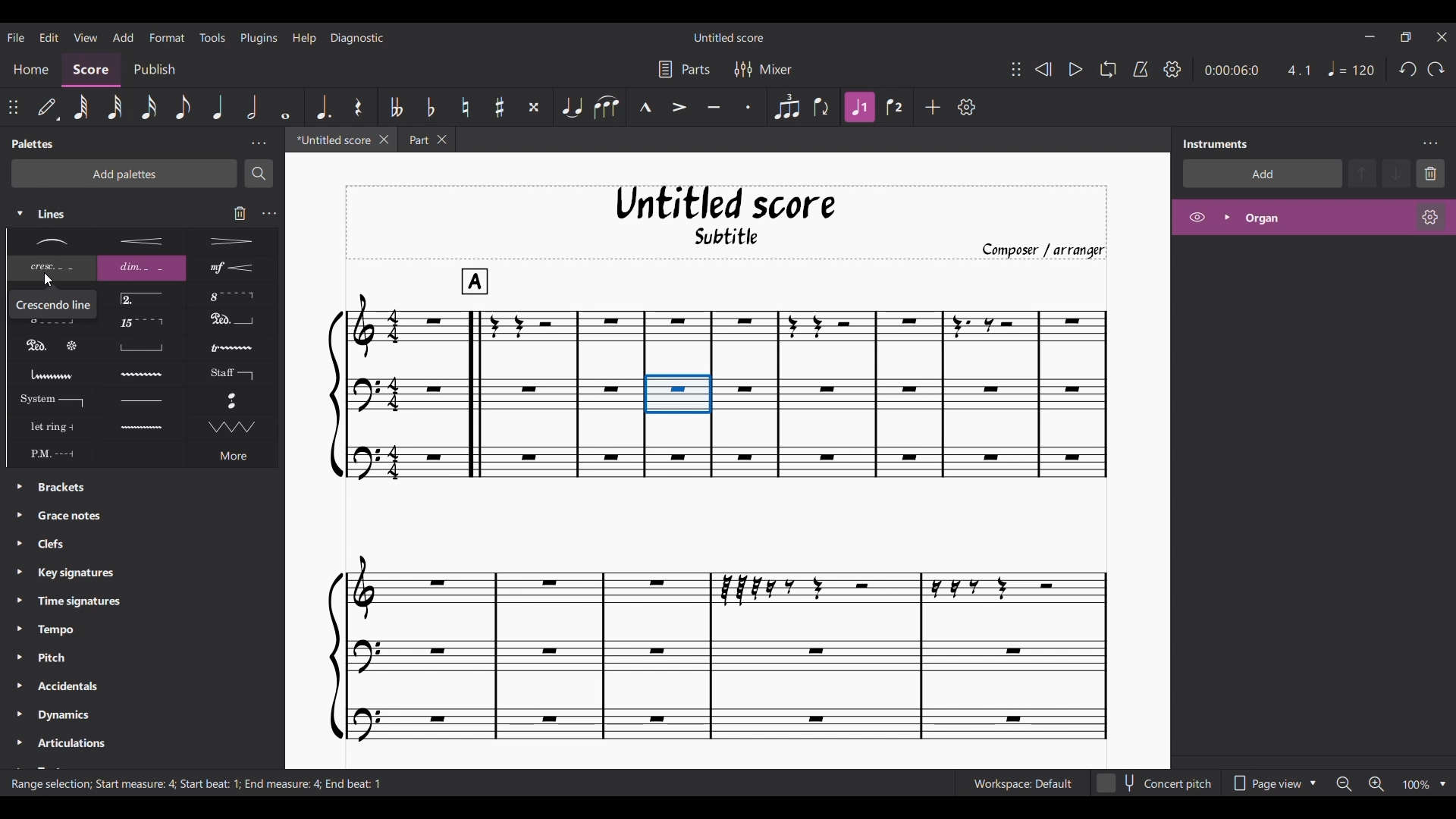 The height and width of the screenshot is (819, 1456). Describe the element at coordinates (1043, 70) in the screenshot. I see `Rewind` at that location.